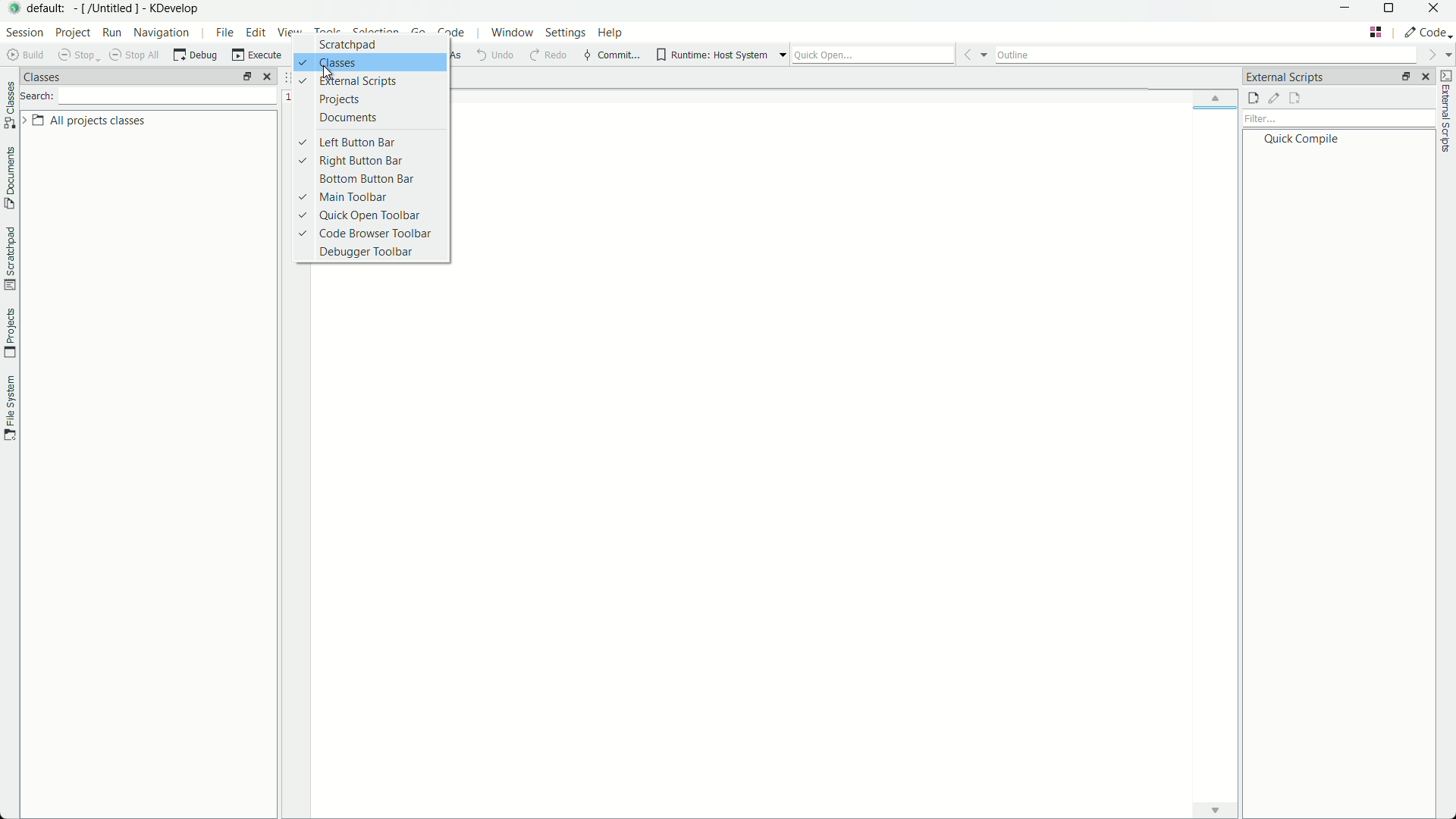  What do you see at coordinates (106, 9) in the screenshot?
I see `[/untitled]` at bounding box center [106, 9].